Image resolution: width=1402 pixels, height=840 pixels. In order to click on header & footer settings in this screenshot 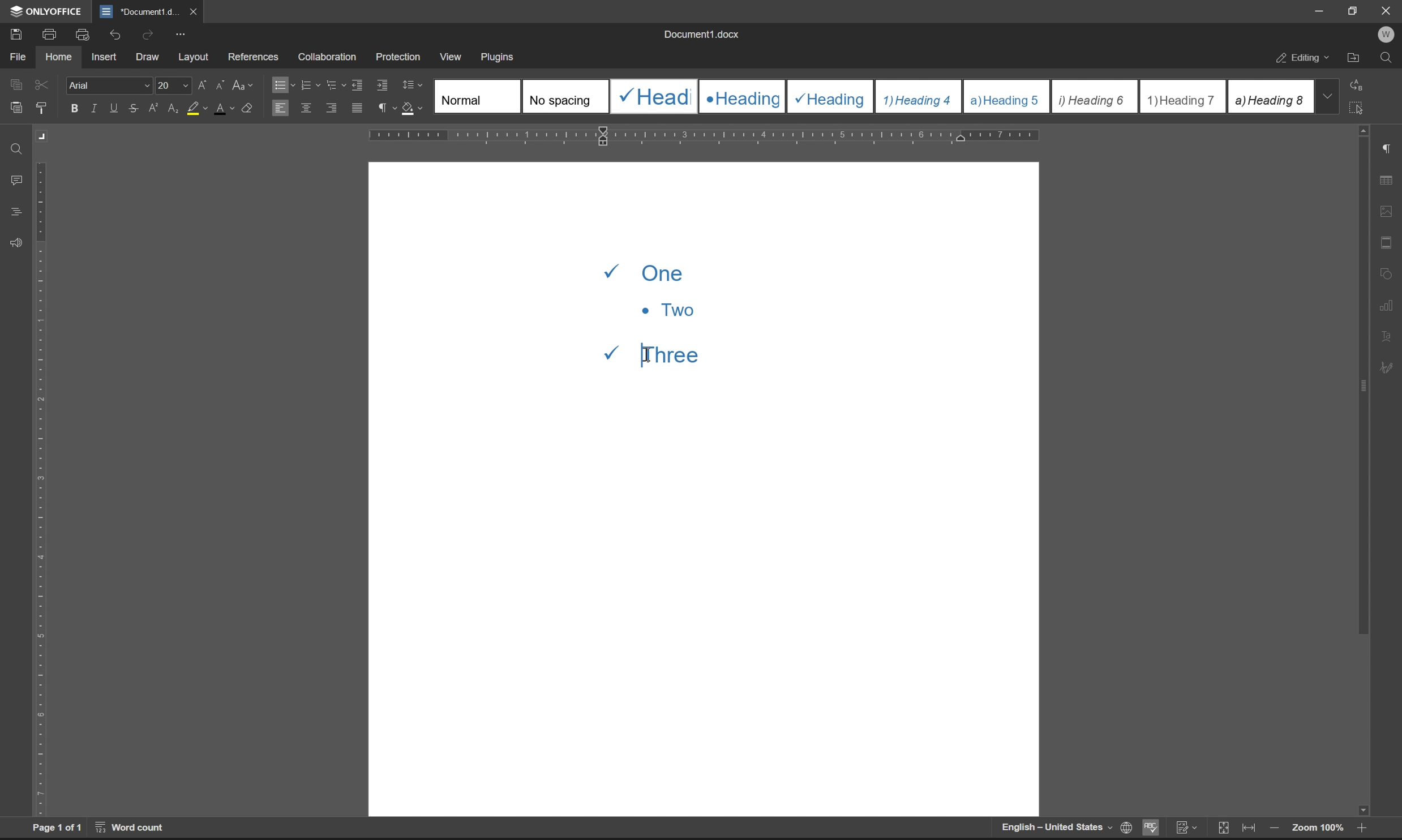, I will do `click(1386, 242)`.